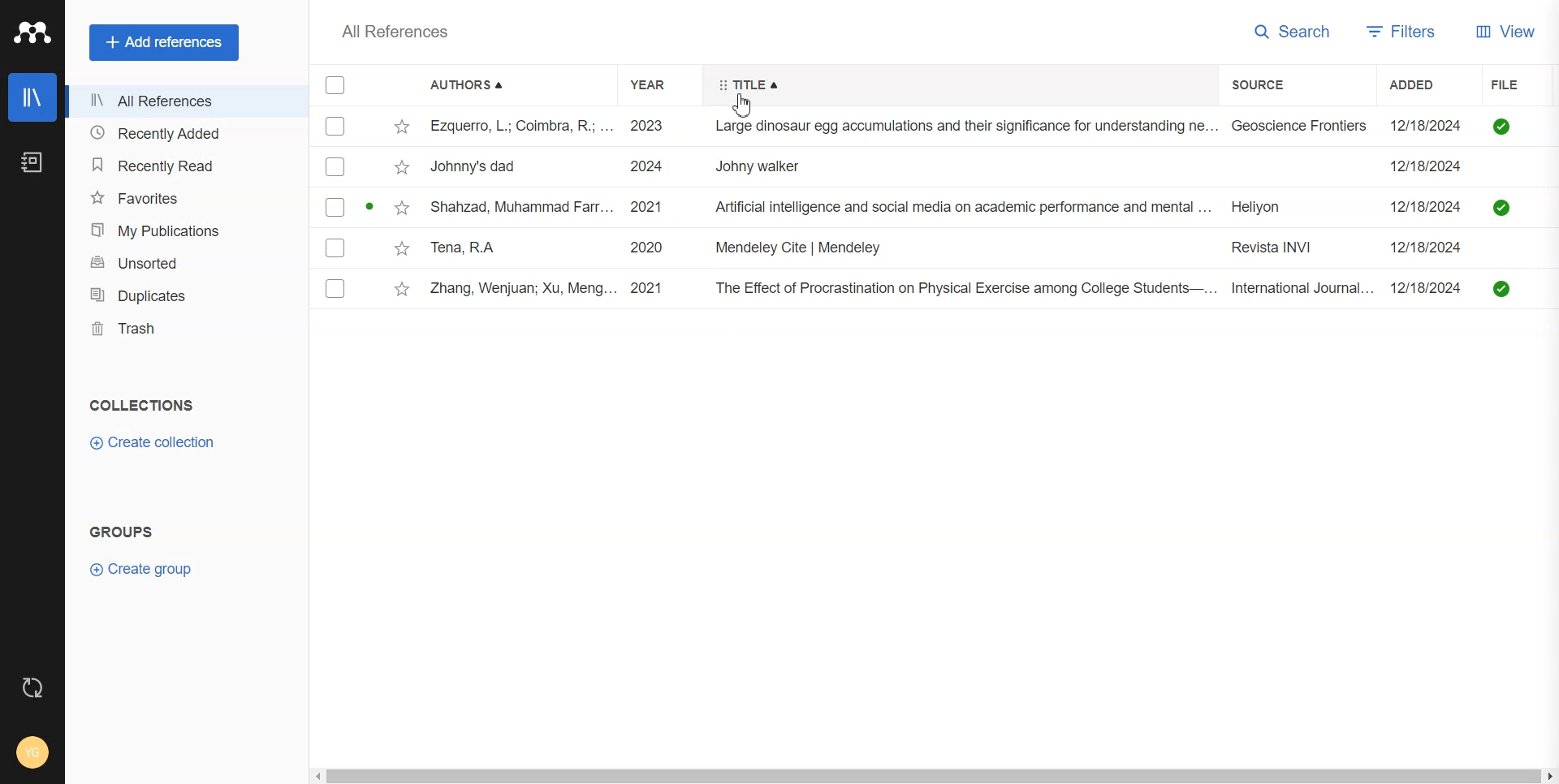 This screenshot has height=784, width=1559. Describe the element at coordinates (403, 127) in the screenshot. I see `mark as star` at that location.